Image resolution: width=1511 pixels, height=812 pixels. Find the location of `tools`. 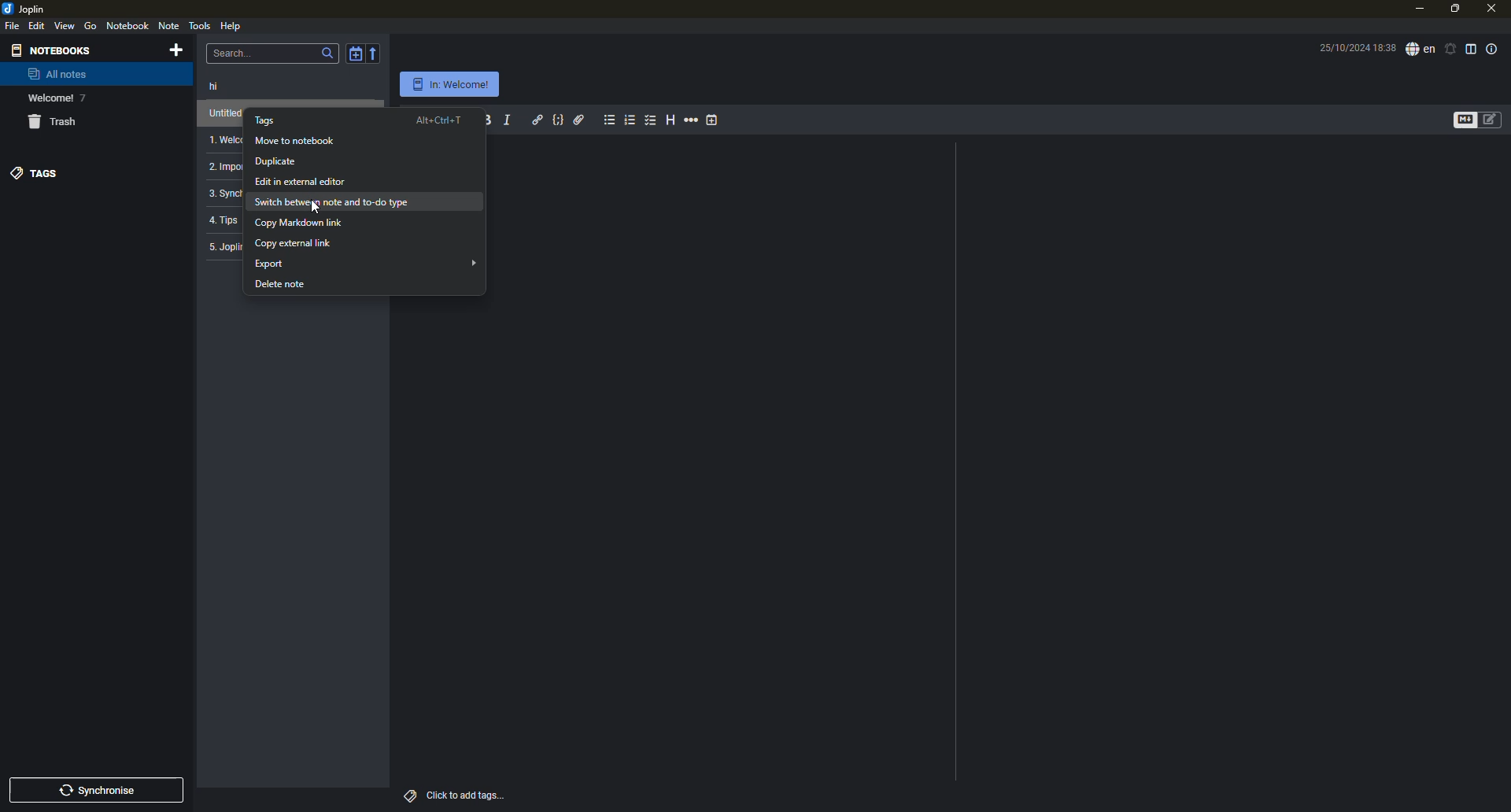

tools is located at coordinates (200, 24).